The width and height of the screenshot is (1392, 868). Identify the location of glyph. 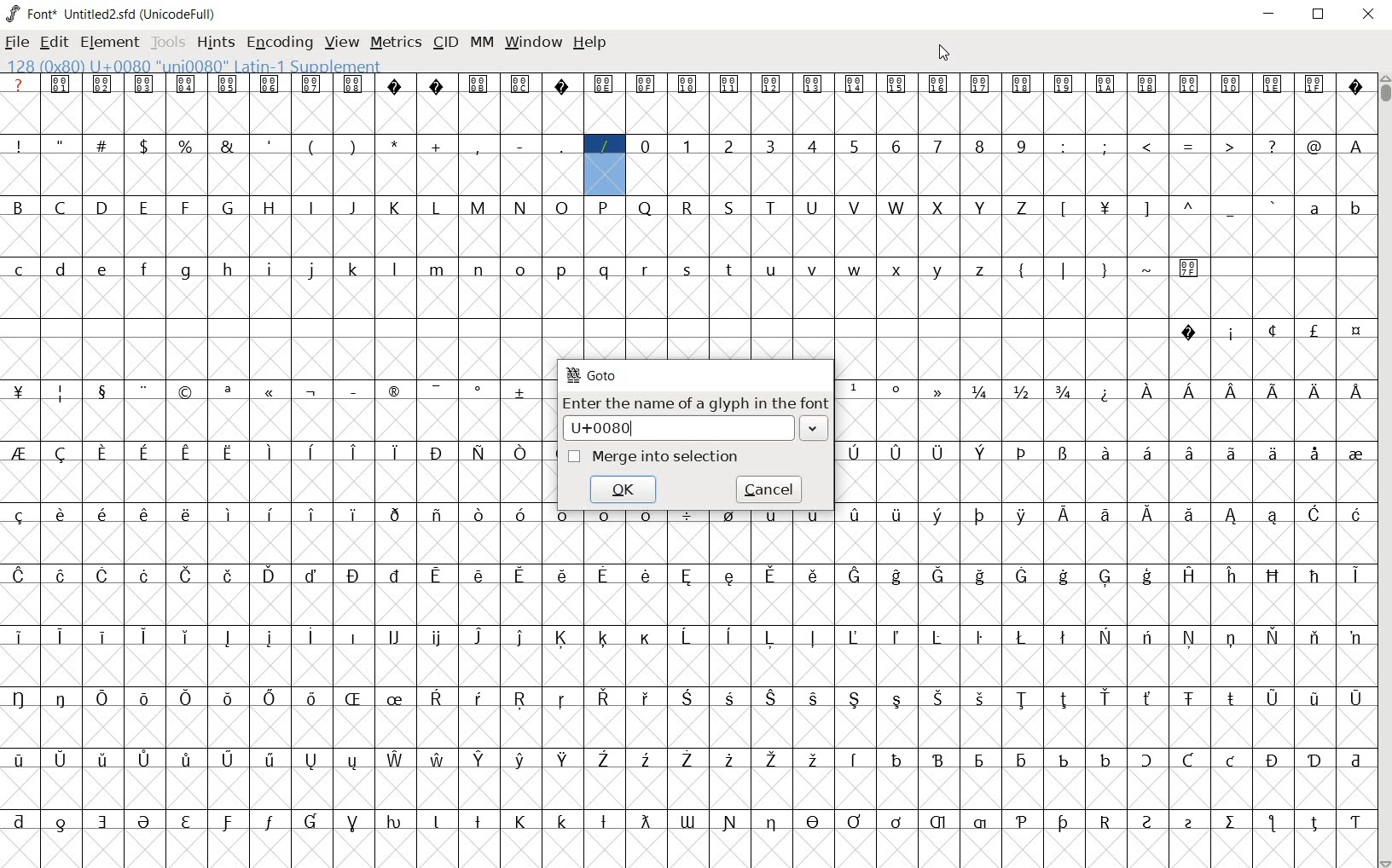
(939, 271).